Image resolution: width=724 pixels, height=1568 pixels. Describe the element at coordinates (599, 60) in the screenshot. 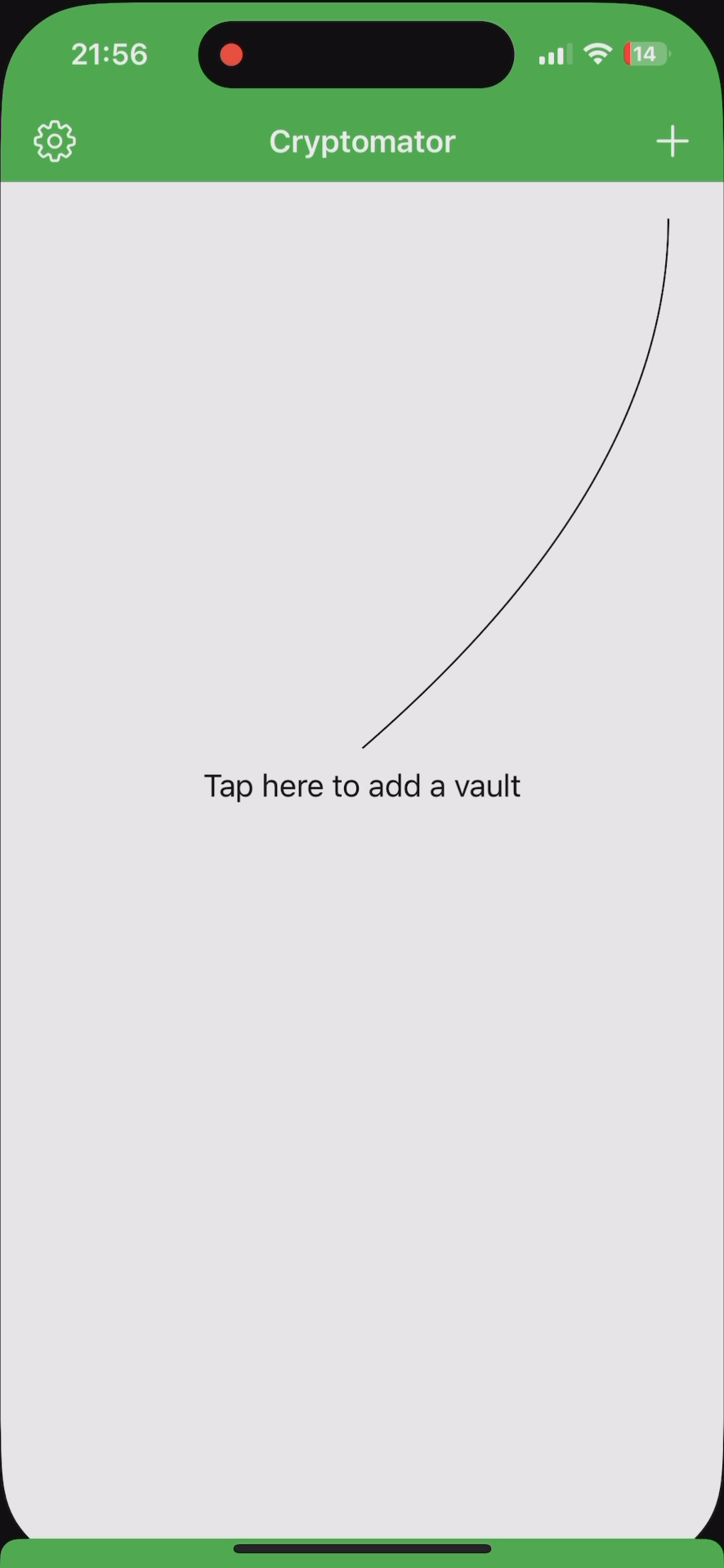

I see `wi-fi` at that location.